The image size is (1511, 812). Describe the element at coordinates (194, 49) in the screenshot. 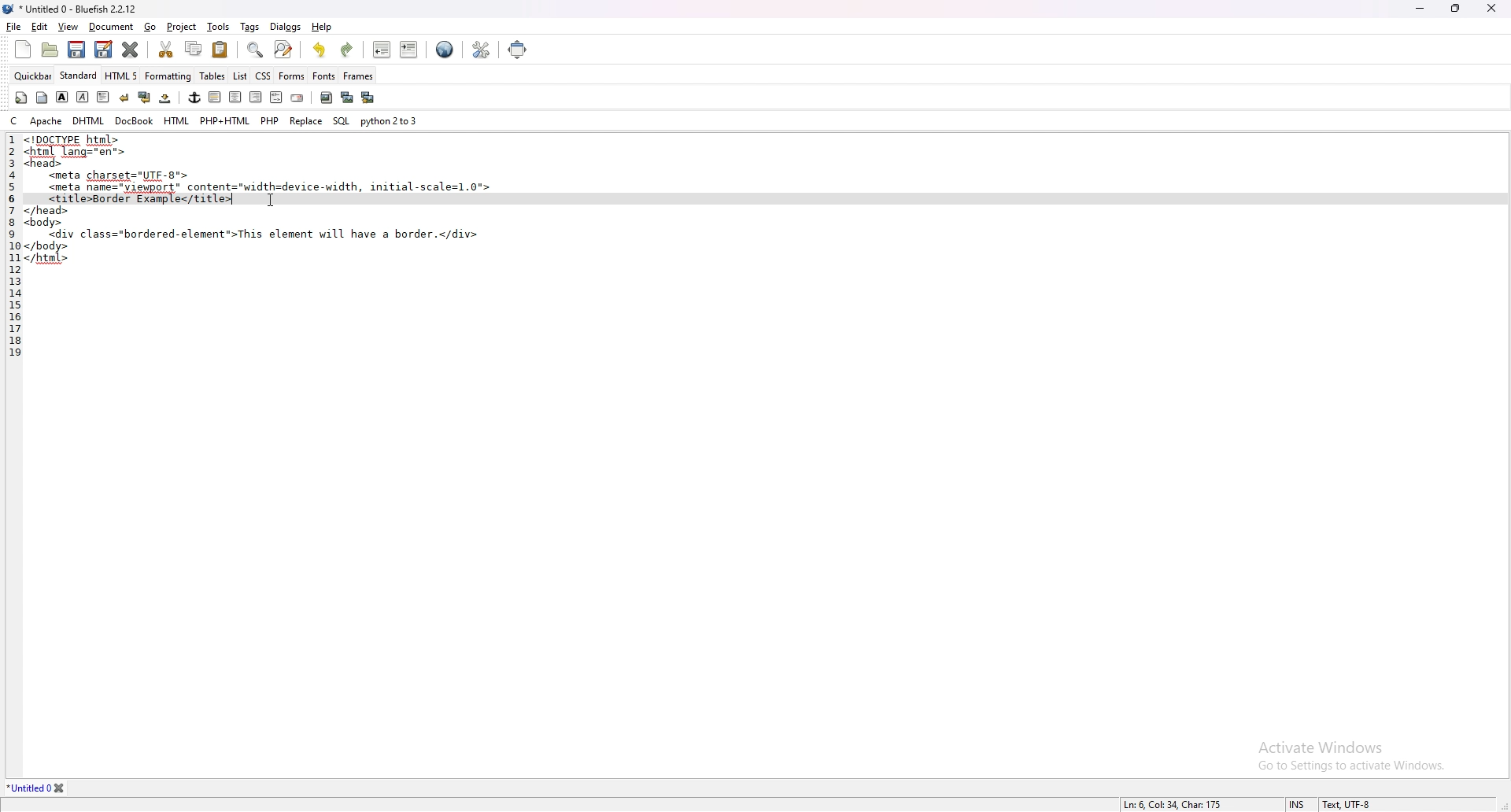

I see `copy` at that location.